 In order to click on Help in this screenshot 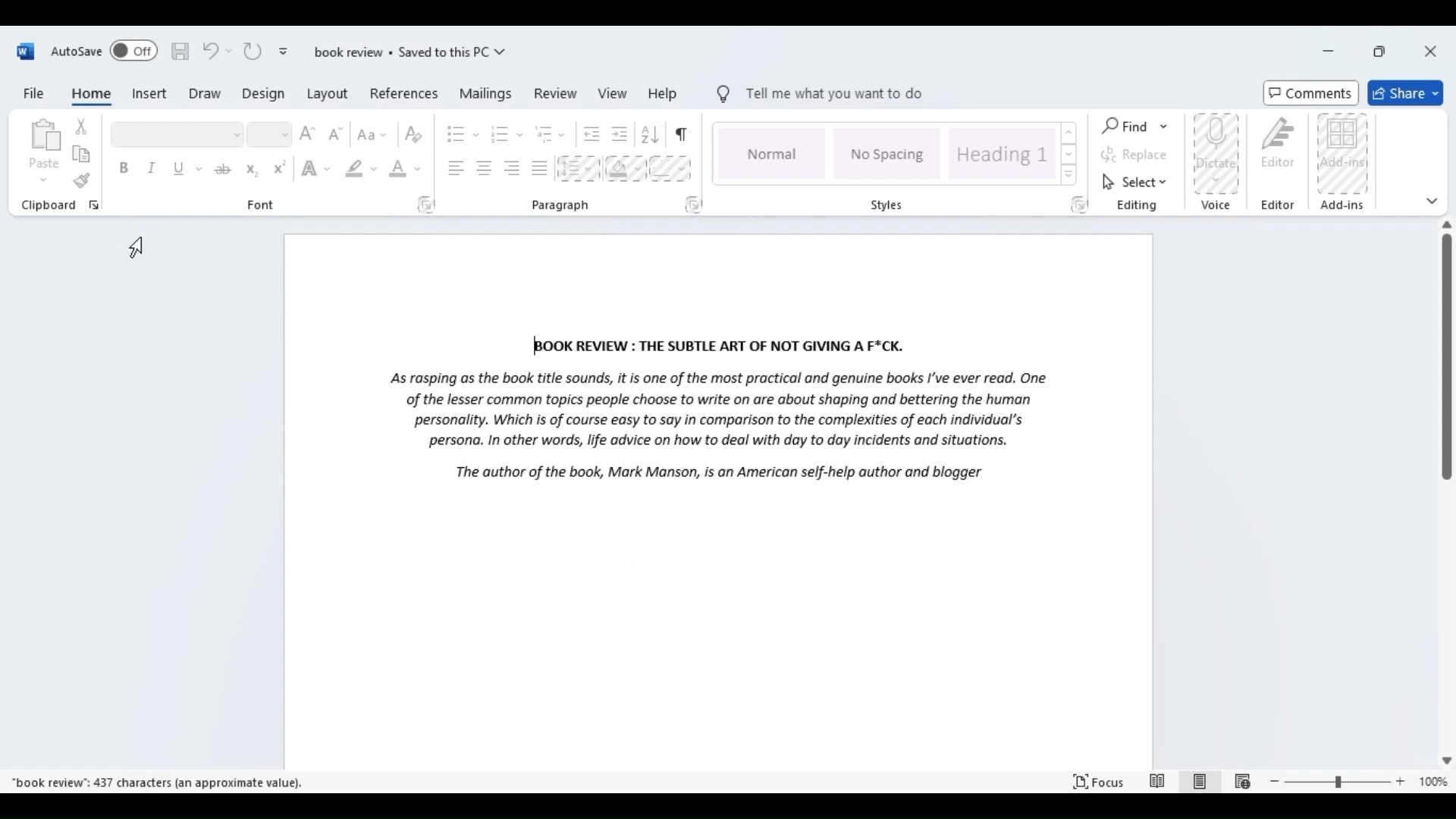, I will do `click(664, 95)`.